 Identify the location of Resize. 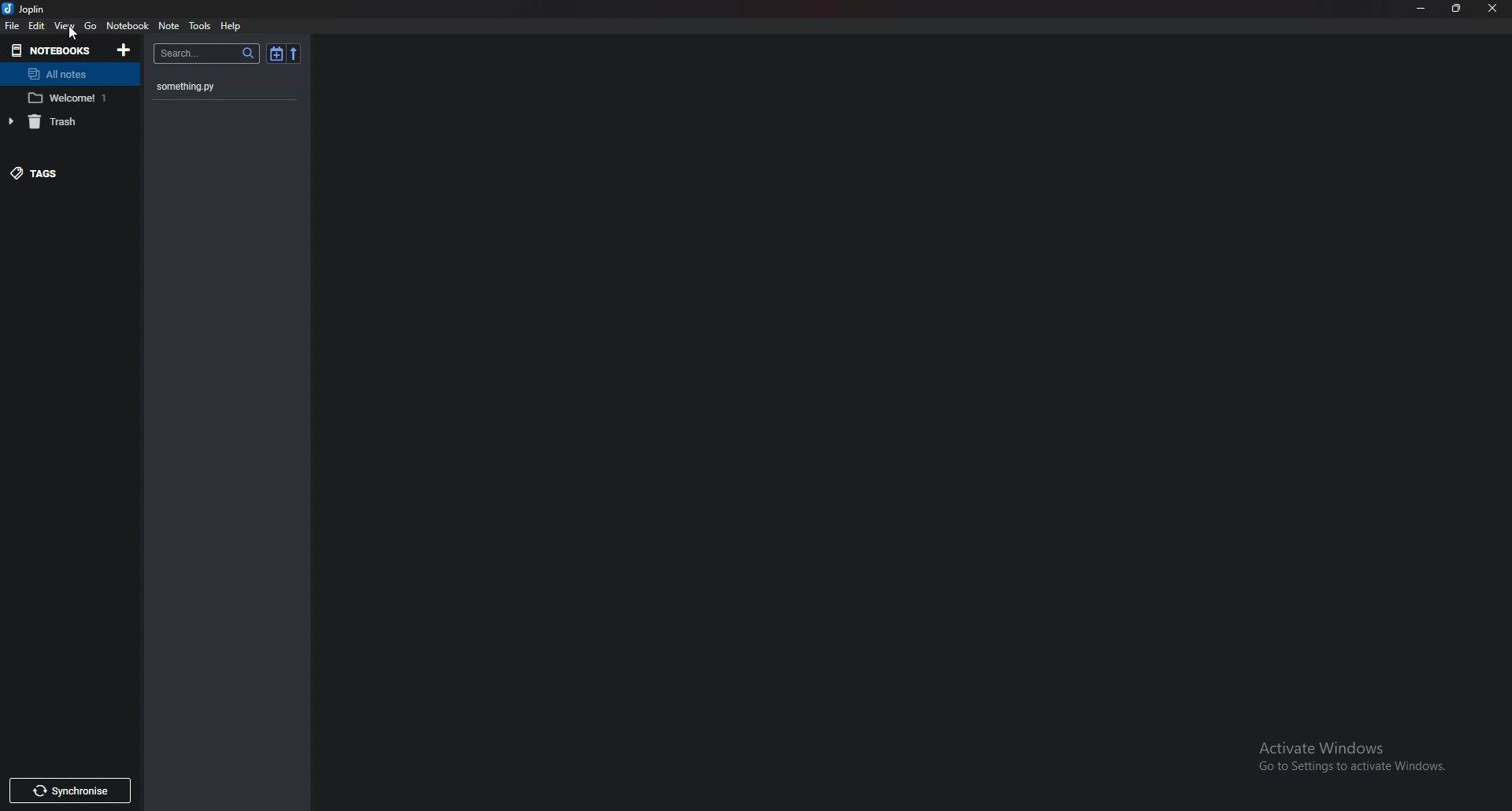
(1457, 9).